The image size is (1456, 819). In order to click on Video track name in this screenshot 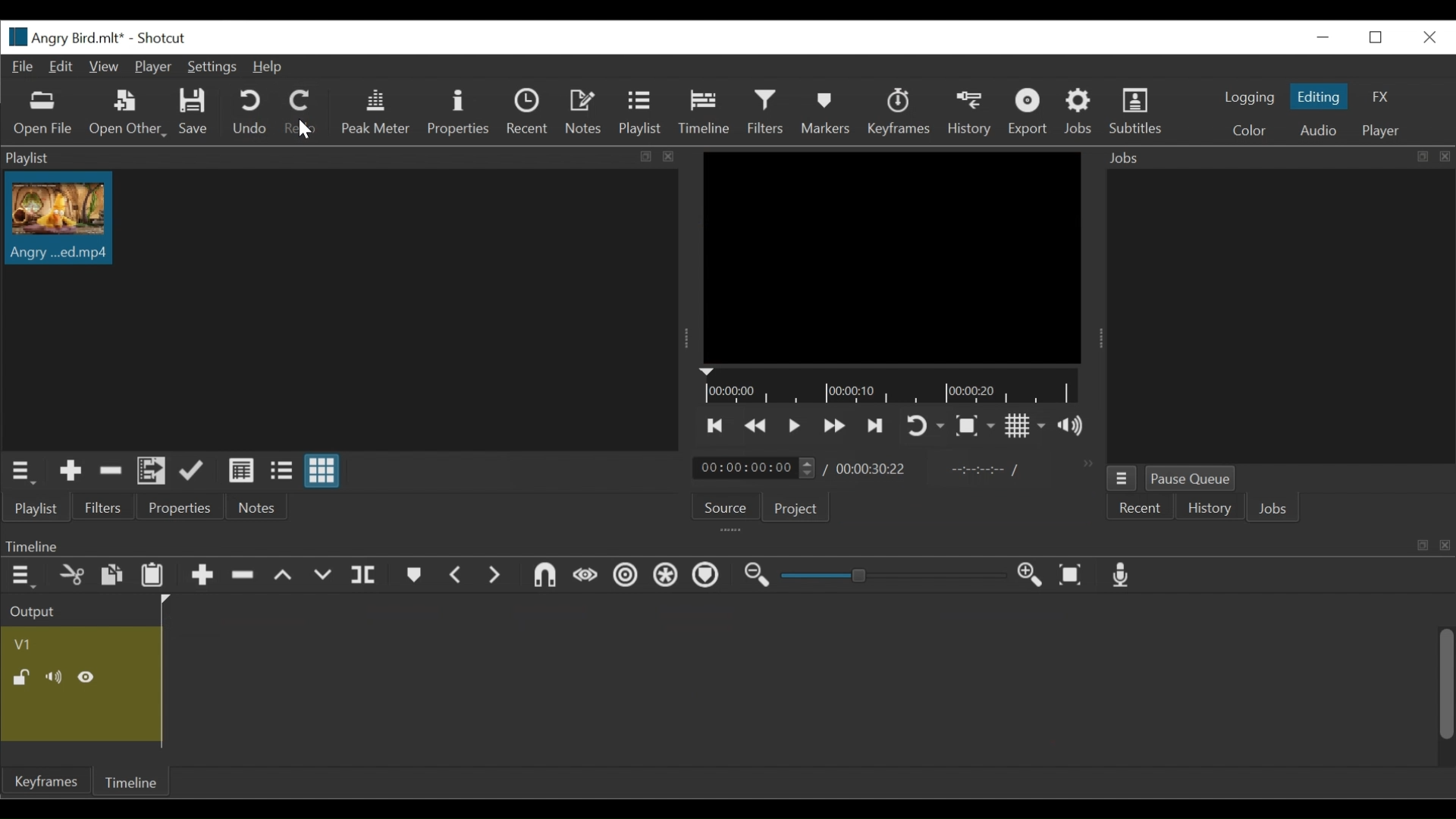, I will do `click(76, 642)`.